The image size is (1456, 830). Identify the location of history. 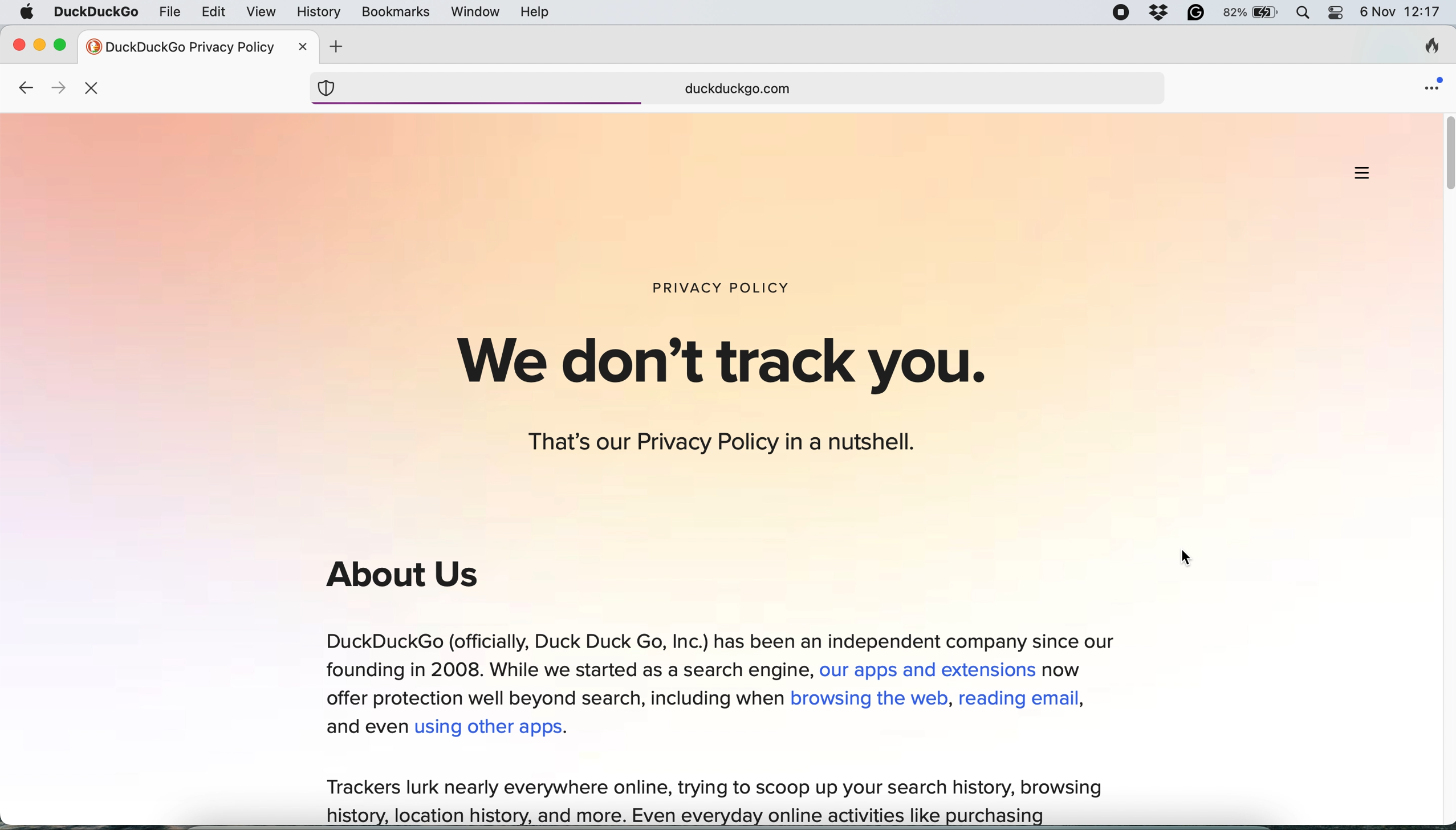
(318, 13).